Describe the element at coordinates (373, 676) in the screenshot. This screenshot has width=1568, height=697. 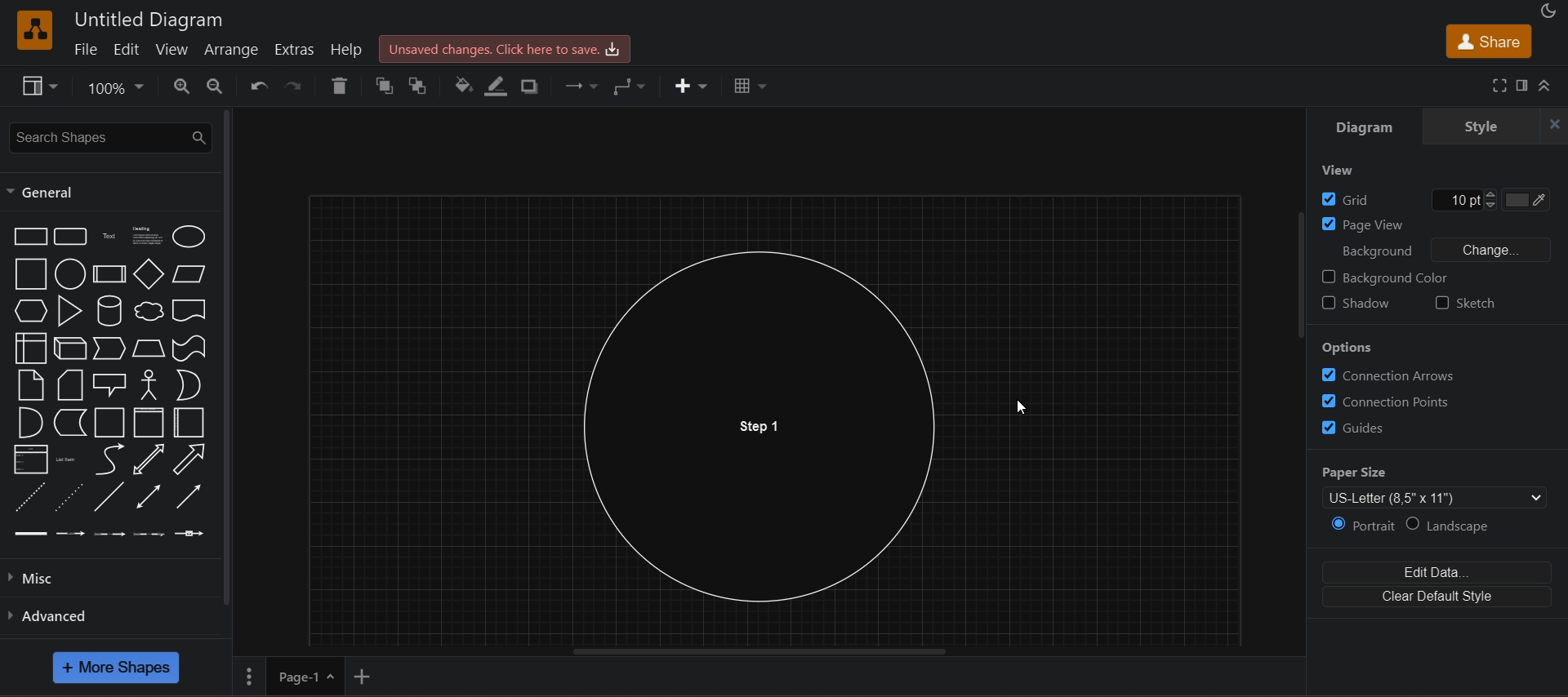
I see `add new page` at that location.